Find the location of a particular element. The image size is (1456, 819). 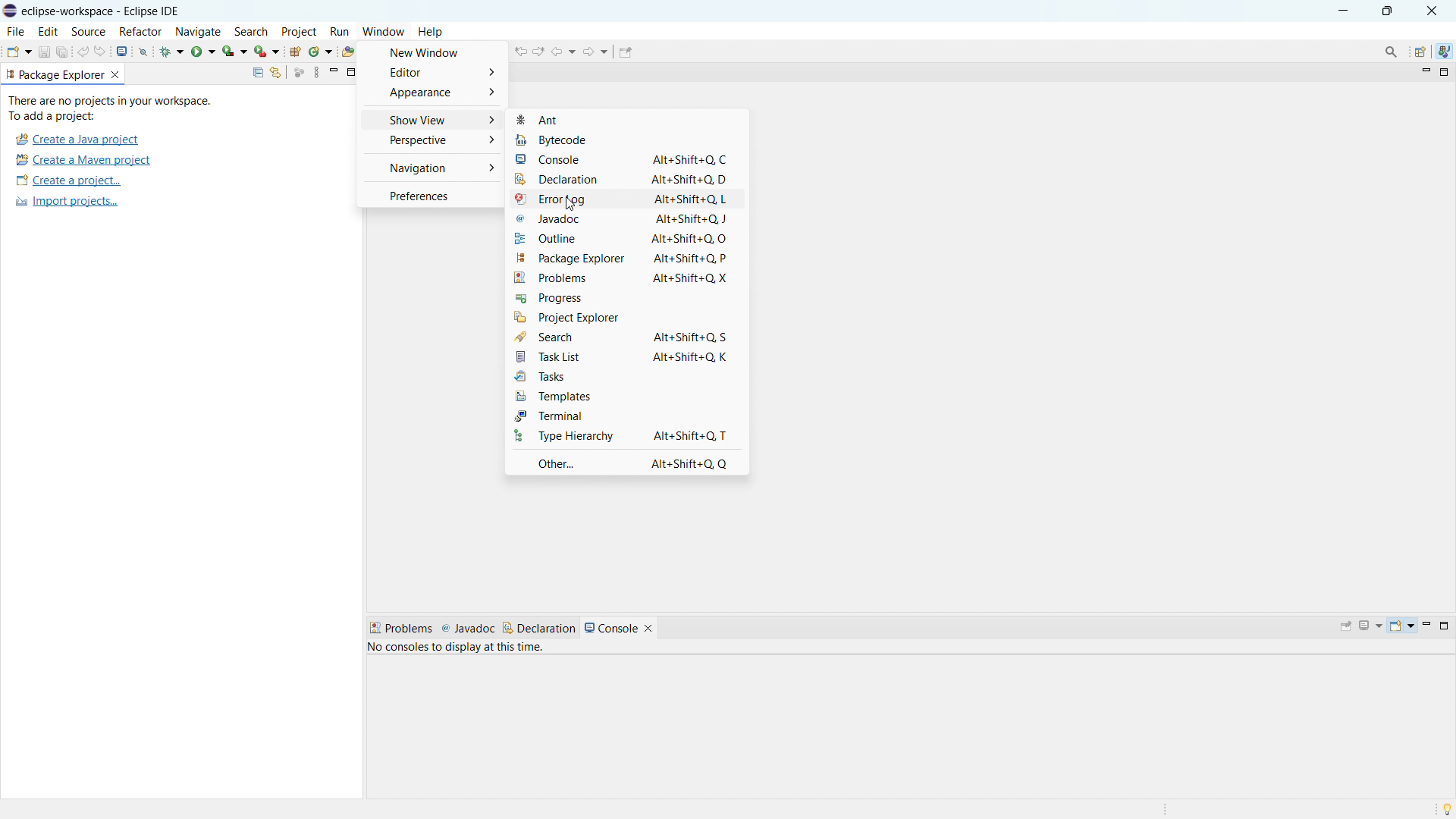

new java type is located at coordinates (295, 52).